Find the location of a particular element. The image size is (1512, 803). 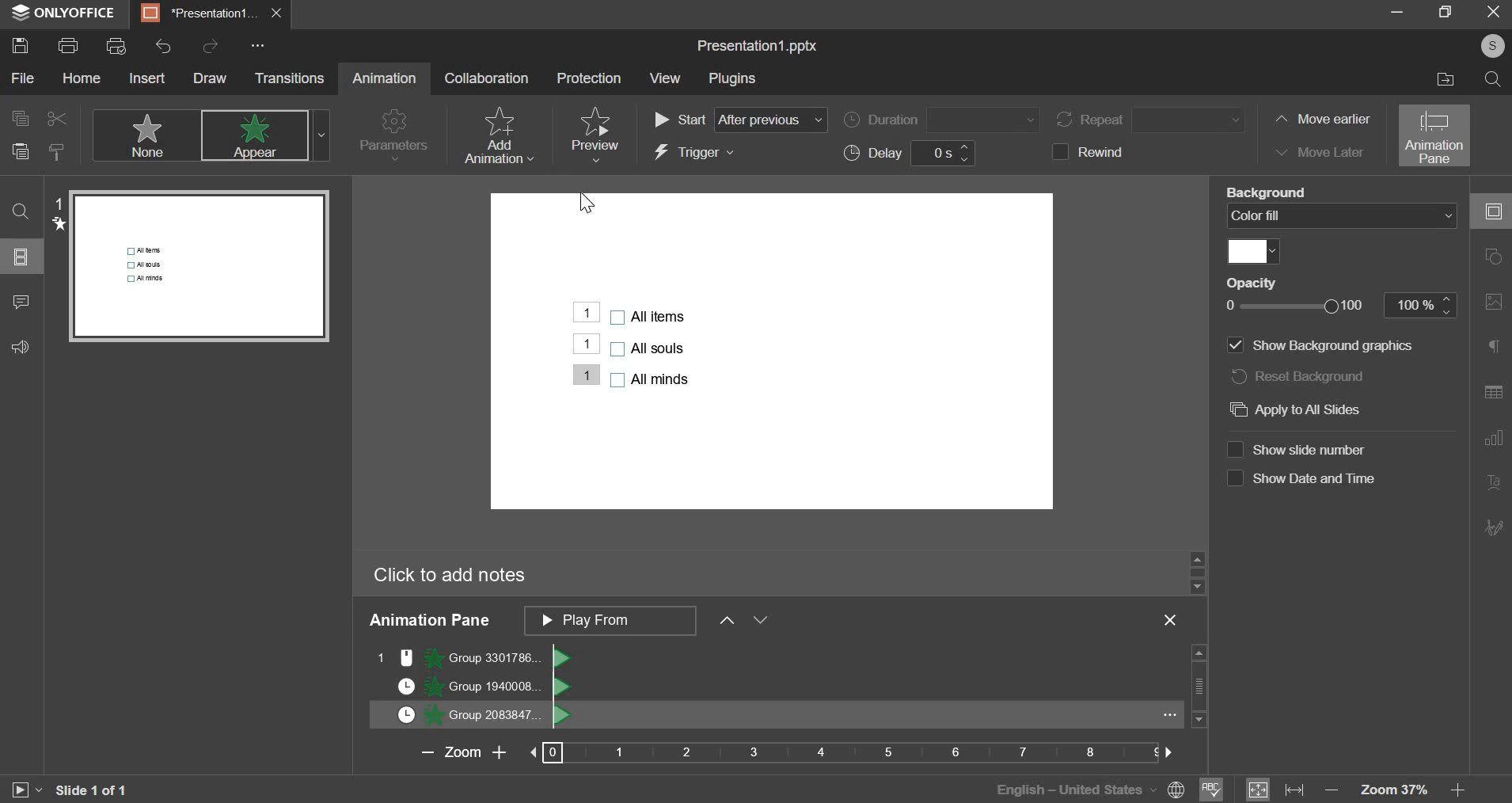

preview is located at coordinates (594, 134).